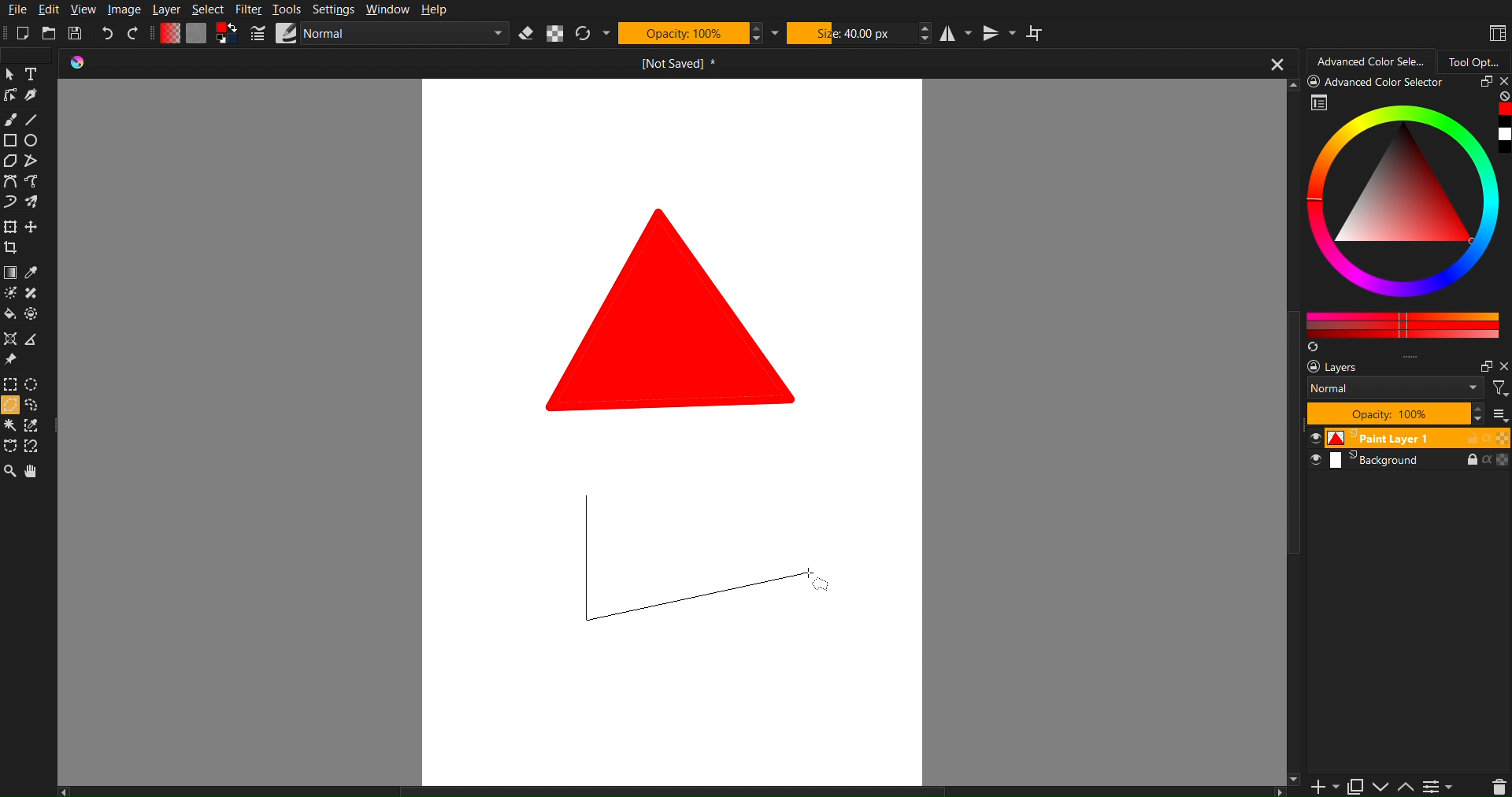 The height and width of the screenshot is (797, 1512). Describe the element at coordinates (34, 294) in the screenshot. I see `tool` at that location.